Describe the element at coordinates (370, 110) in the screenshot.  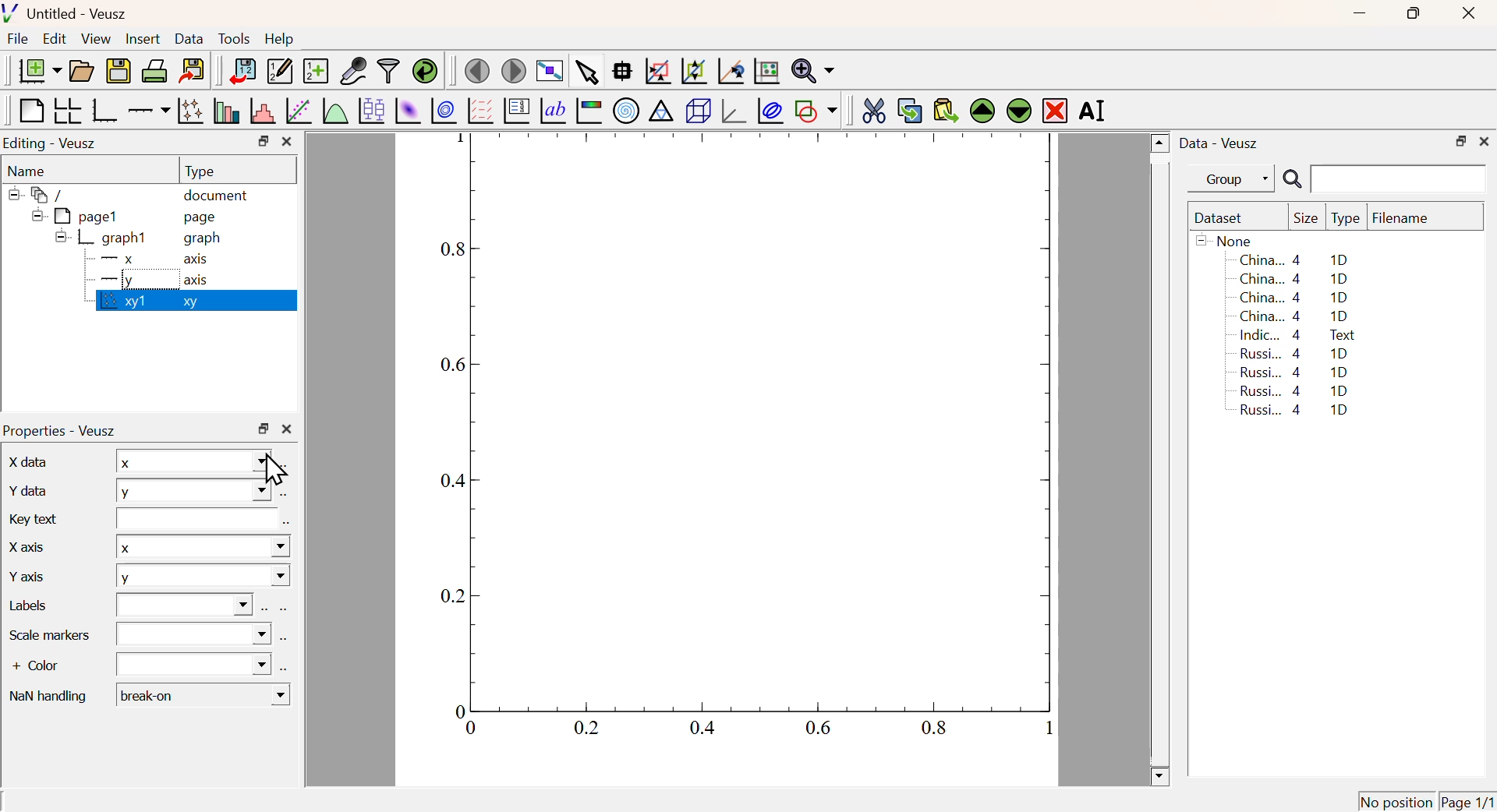
I see `Plot Box Plots` at that location.